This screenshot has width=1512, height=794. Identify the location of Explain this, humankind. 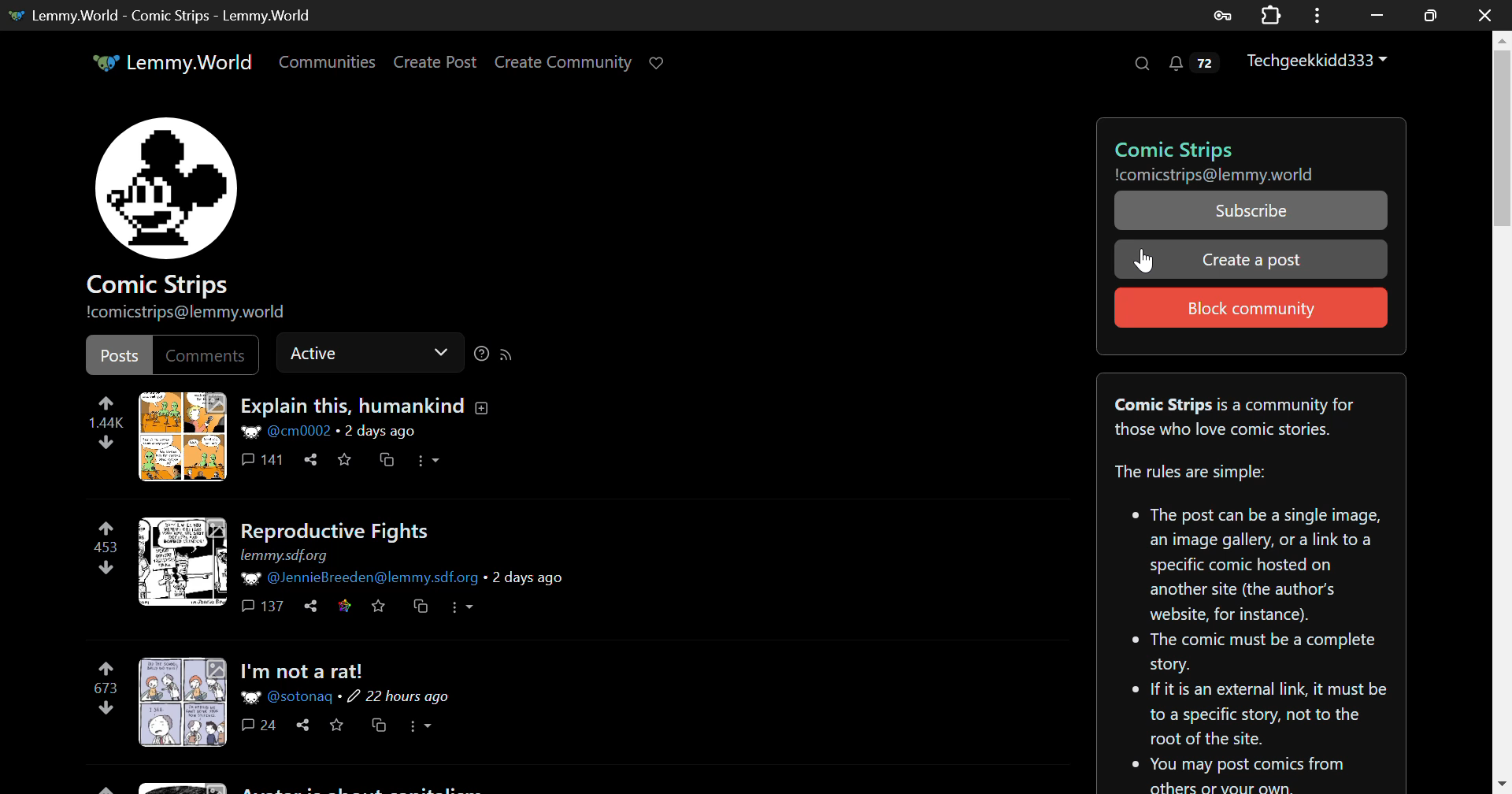
(369, 406).